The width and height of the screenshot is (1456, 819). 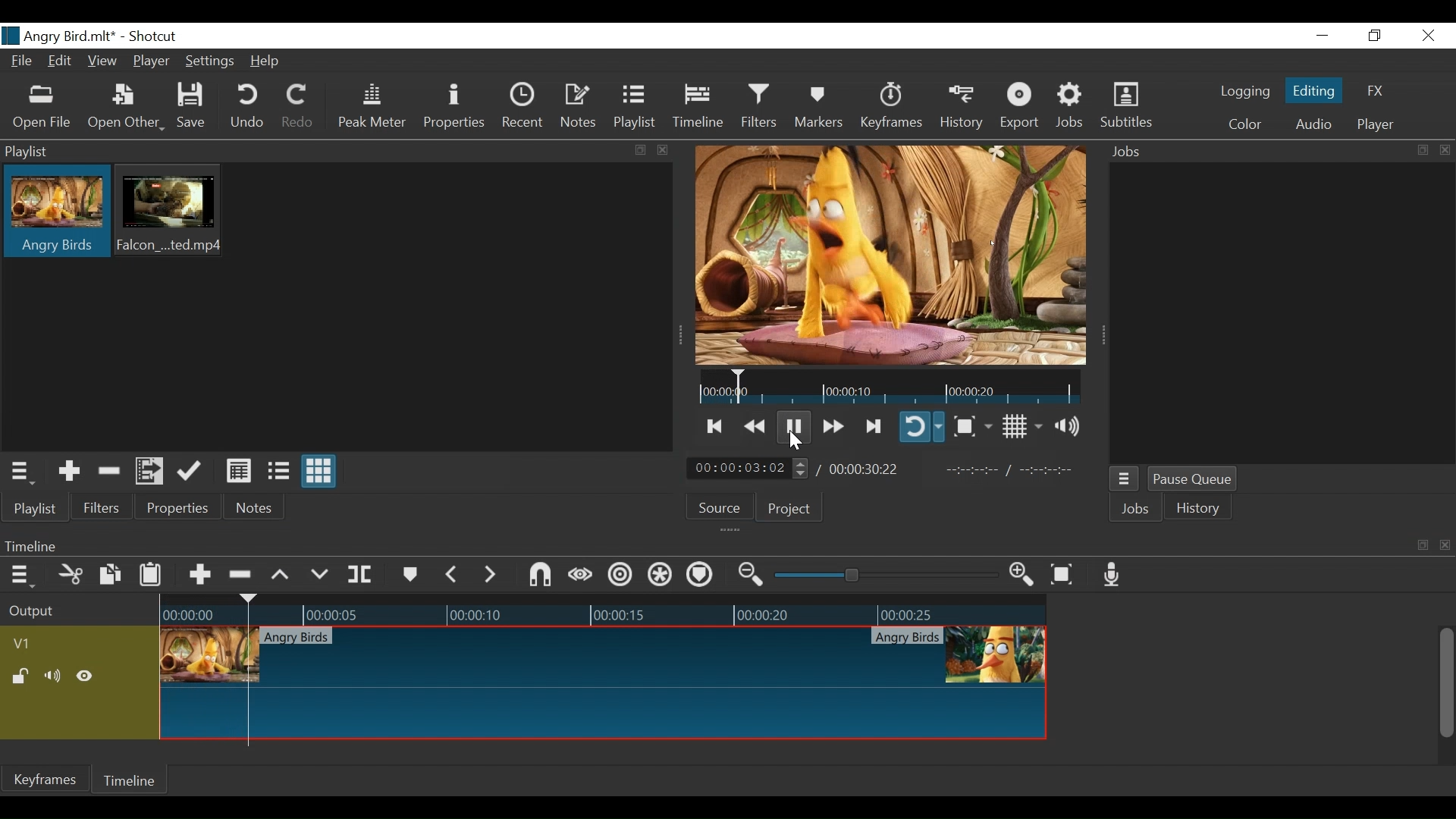 What do you see at coordinates (372, 108) in the screenshot?
I see `Peak Meter` at bounding box center [372, 108].